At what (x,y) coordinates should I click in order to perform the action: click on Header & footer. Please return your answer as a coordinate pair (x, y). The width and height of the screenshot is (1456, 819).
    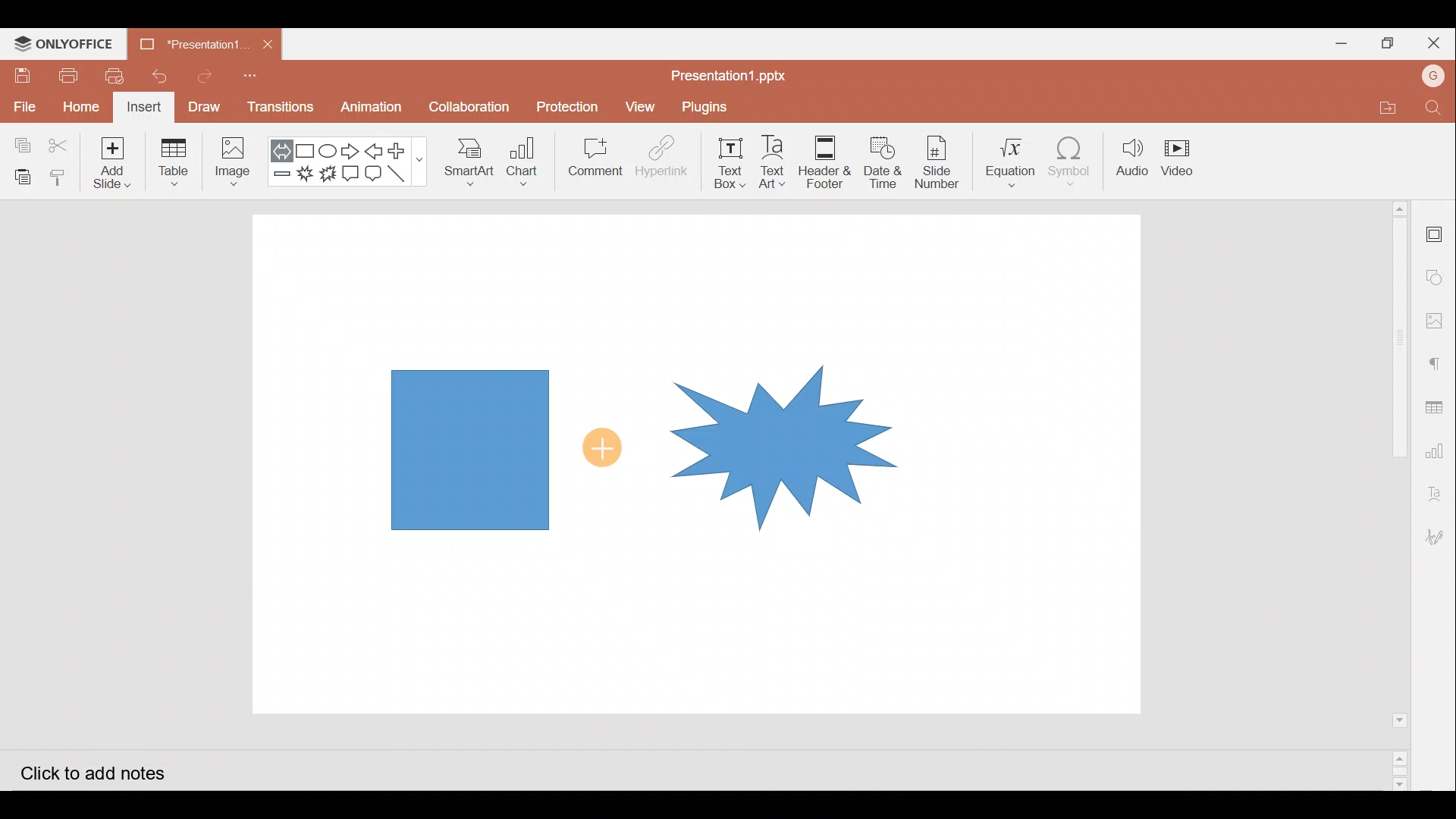
    Looking at the image, I should click on (828, 162).